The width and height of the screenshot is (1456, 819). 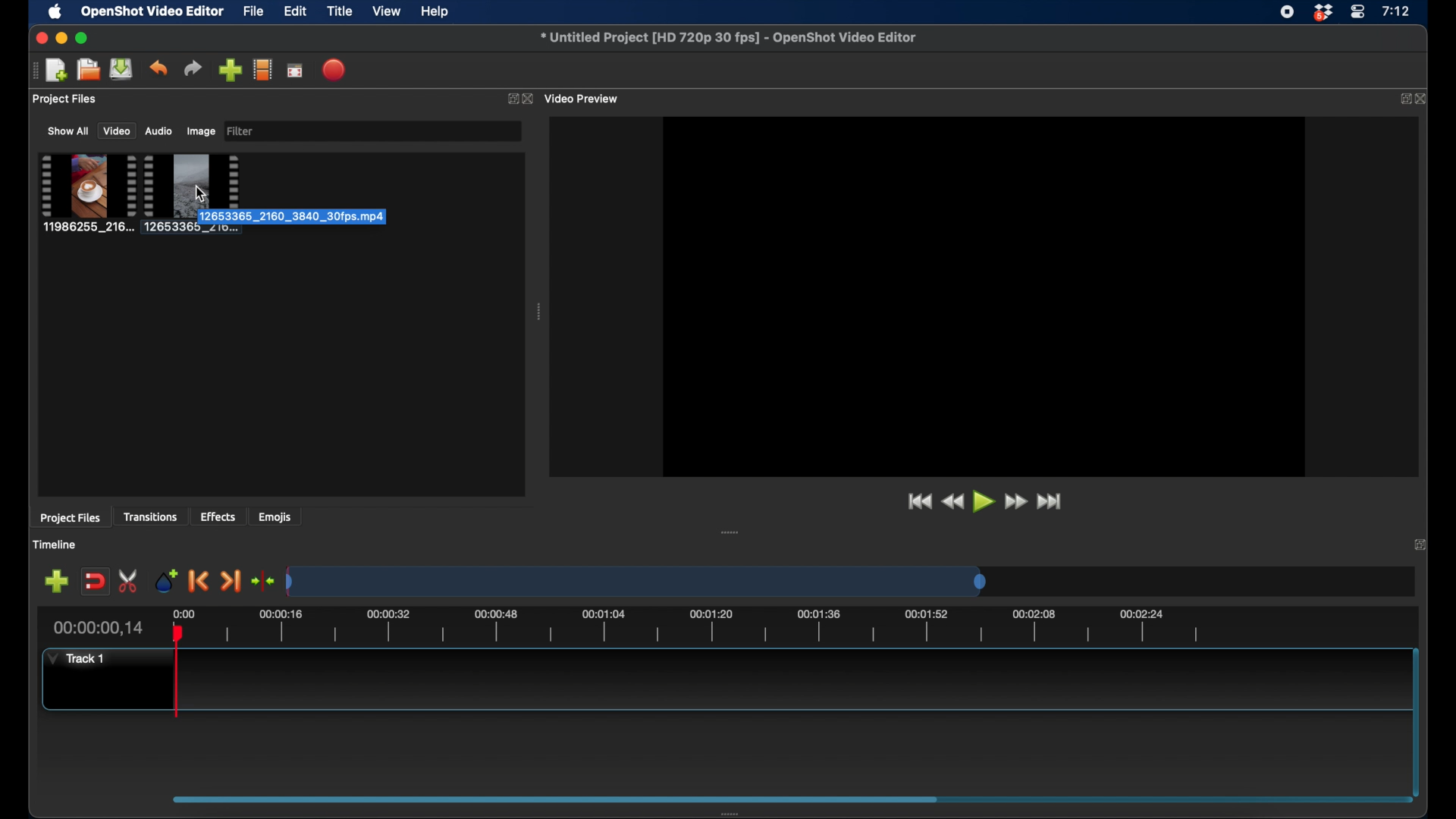 What do you see at coordinates (586, 98) in the screenshot?
I see `video preview` at bounding box center [586, 98].